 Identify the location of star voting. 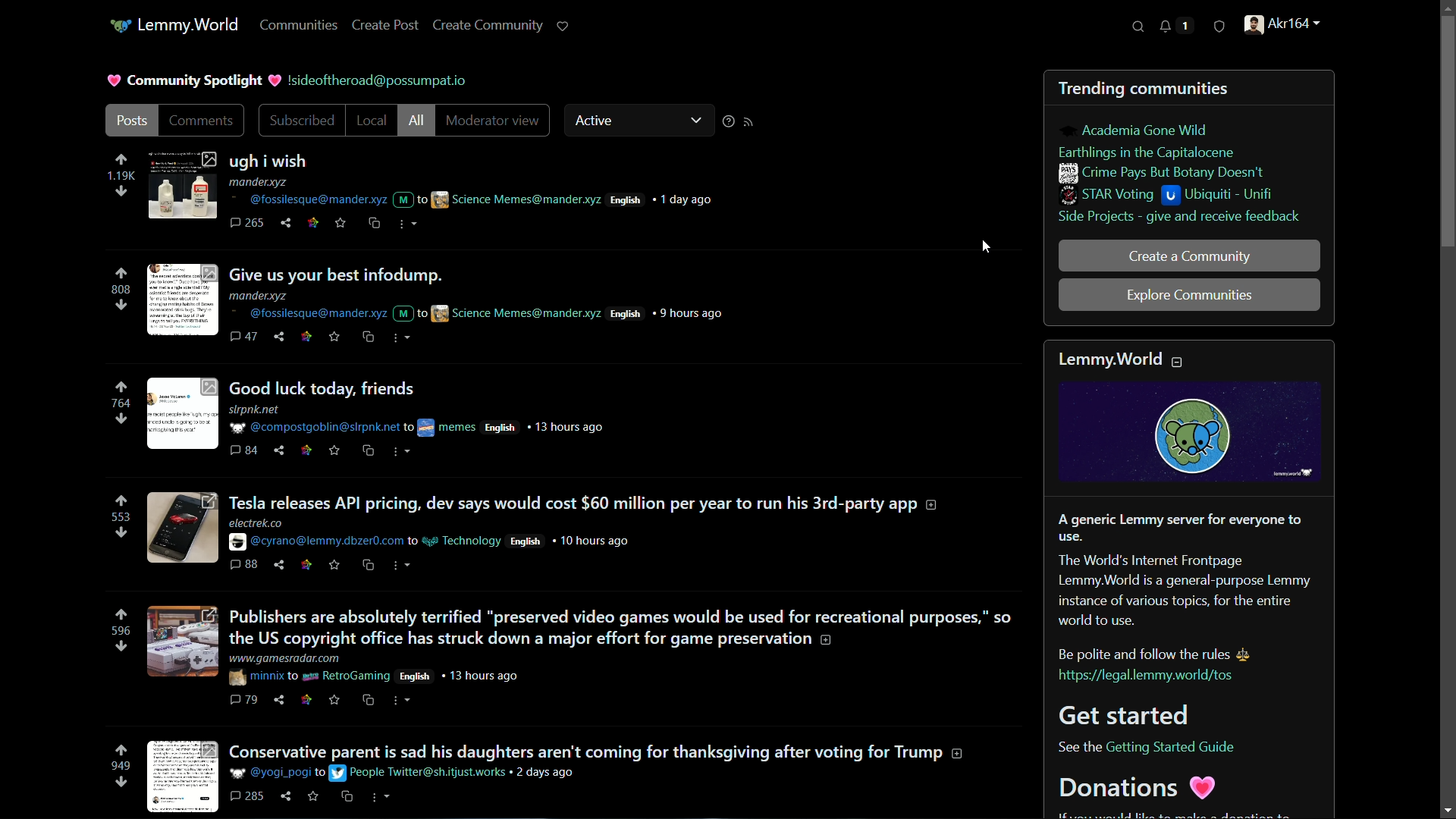
(1108, 196).